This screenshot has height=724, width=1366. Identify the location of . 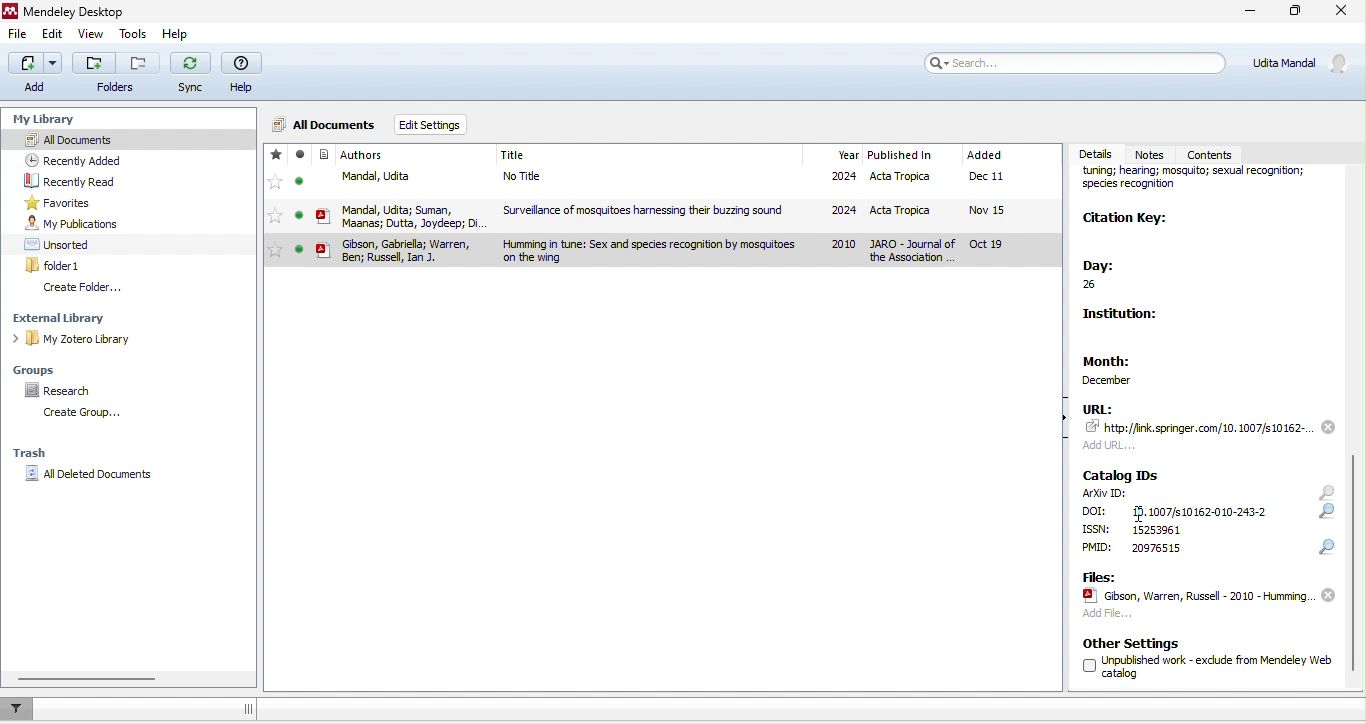
(116, 72).